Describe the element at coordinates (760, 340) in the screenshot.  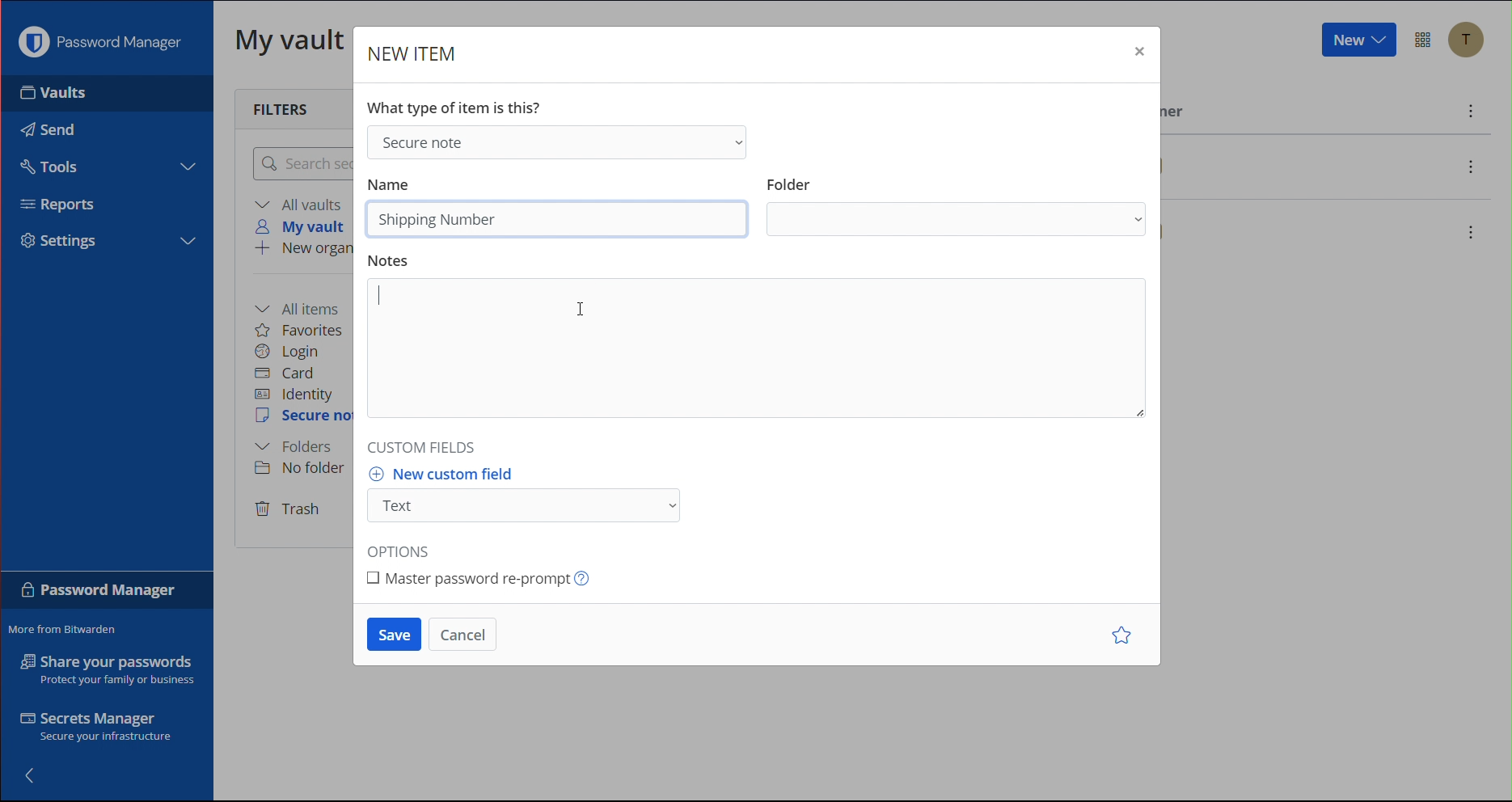
I see `Notes` at that location.